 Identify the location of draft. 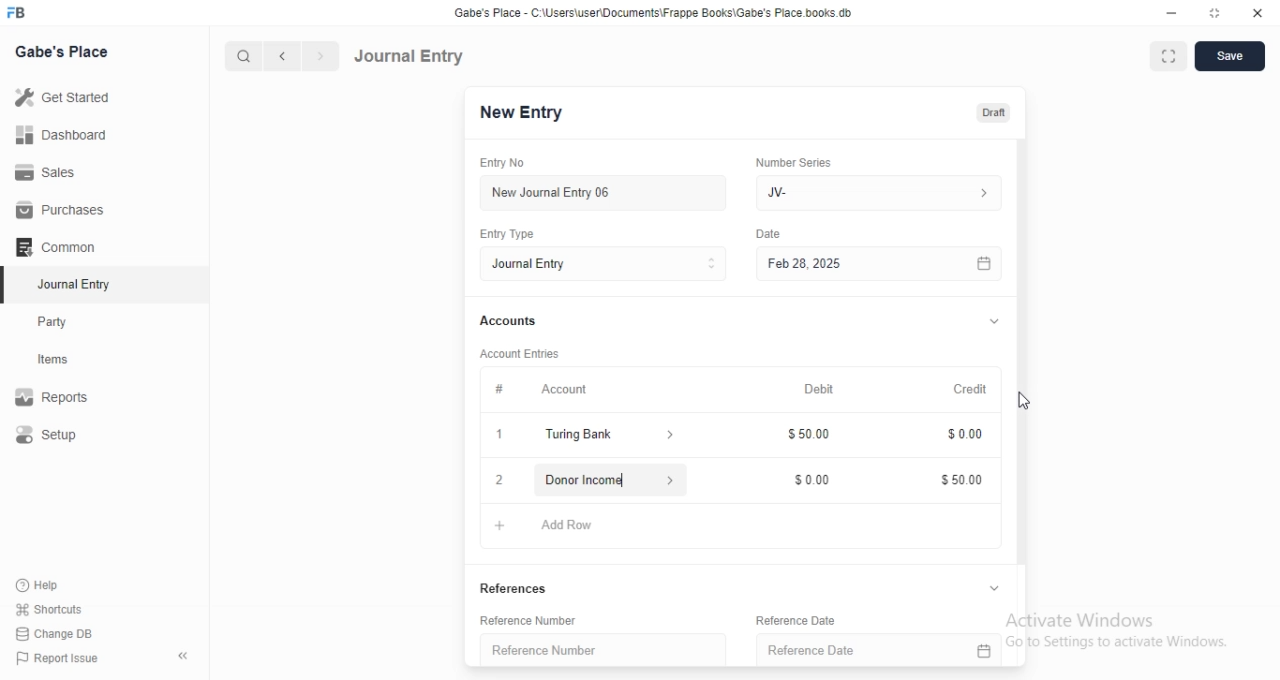
(993, 114).